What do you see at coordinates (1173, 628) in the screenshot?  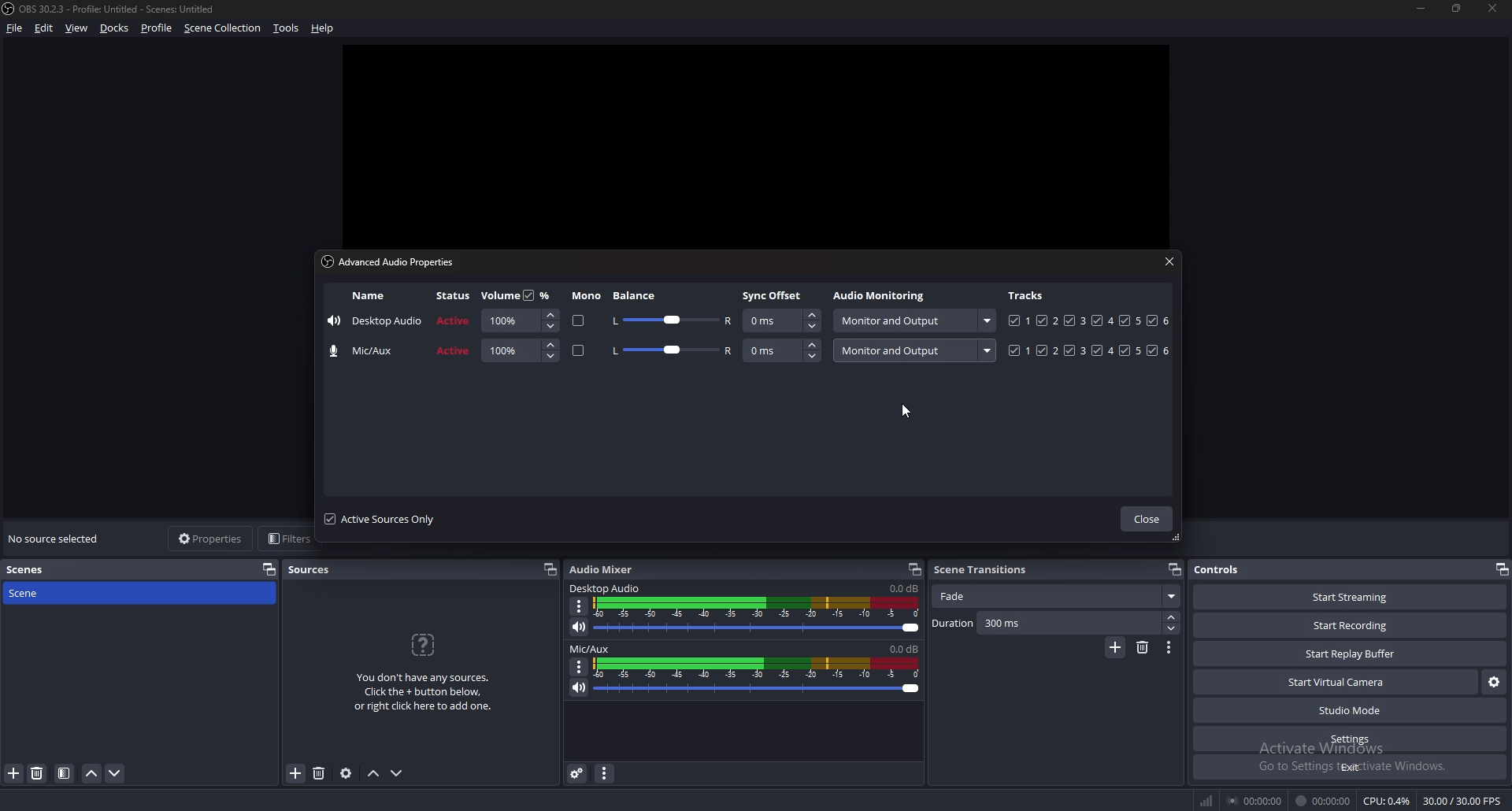 I see `decrease duration` at bounding box center [1173, 628].